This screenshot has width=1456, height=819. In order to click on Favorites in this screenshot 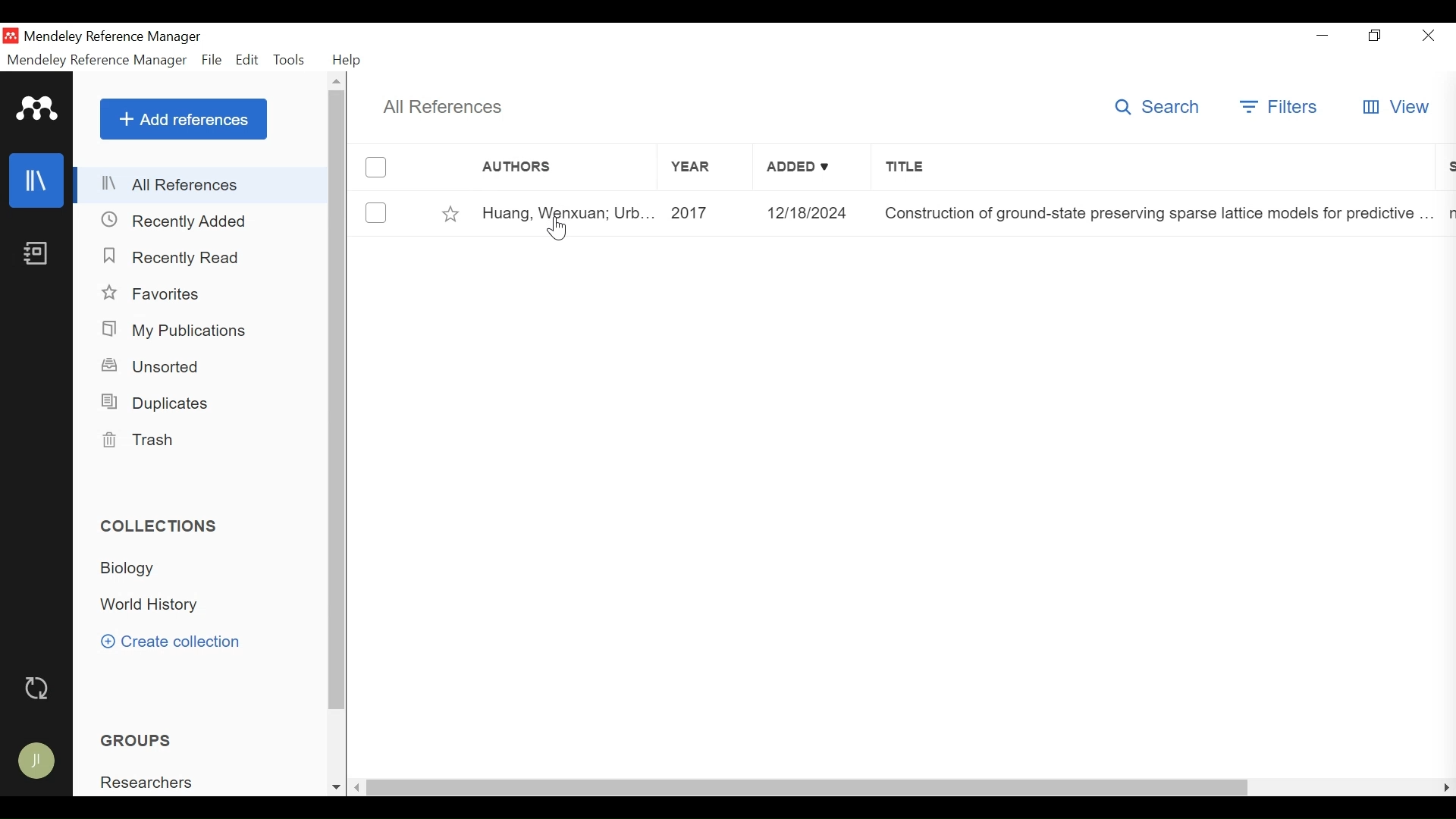, I will do `click(156, 294)`.